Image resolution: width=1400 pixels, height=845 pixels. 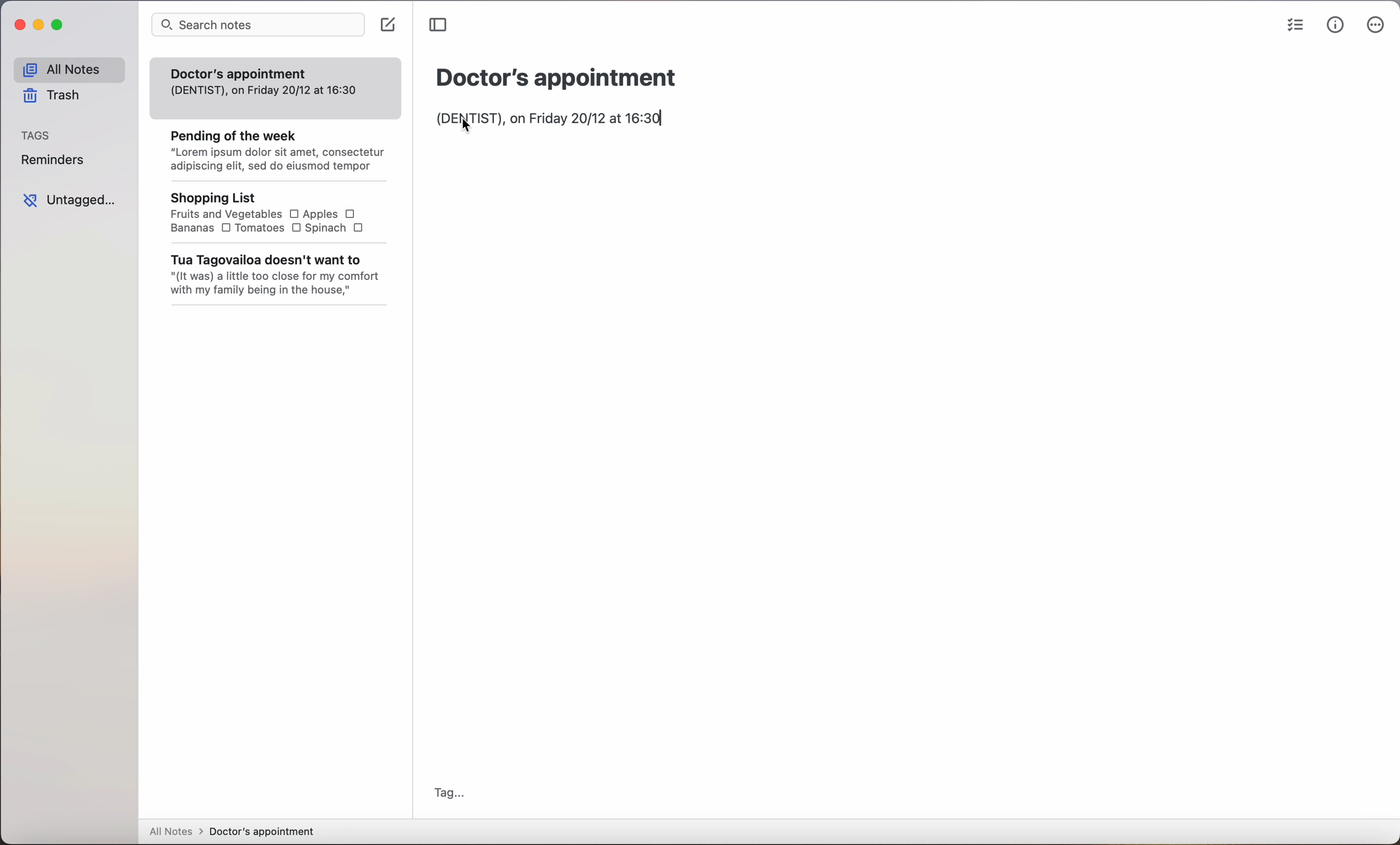 What do you see at coordinates (550, 121) in the screenshot?
I see `(Dentist) on friday 20/12 at 16:30` at bounding box center [550, 121].